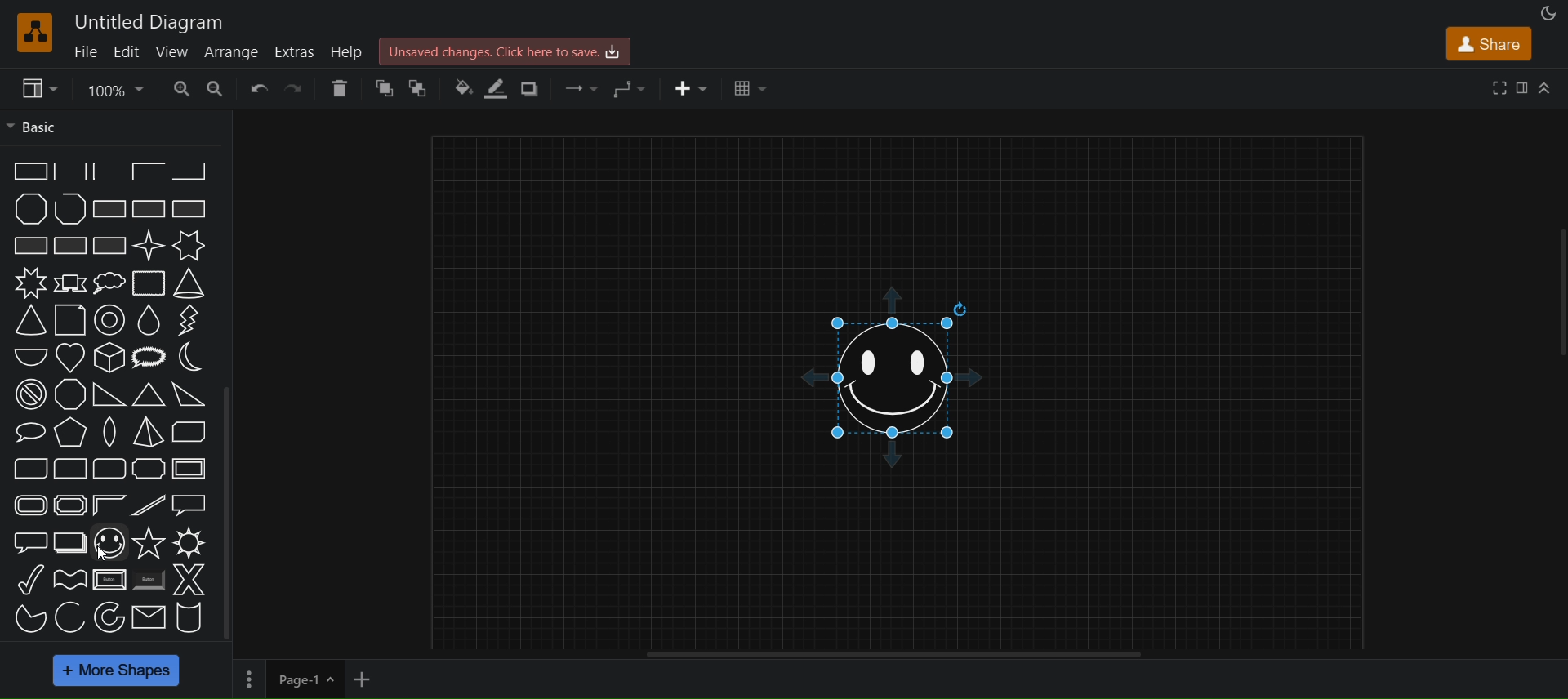  Describe the element at coordinates (179, 86) in the screenshot. I see `zoom in` at that location.